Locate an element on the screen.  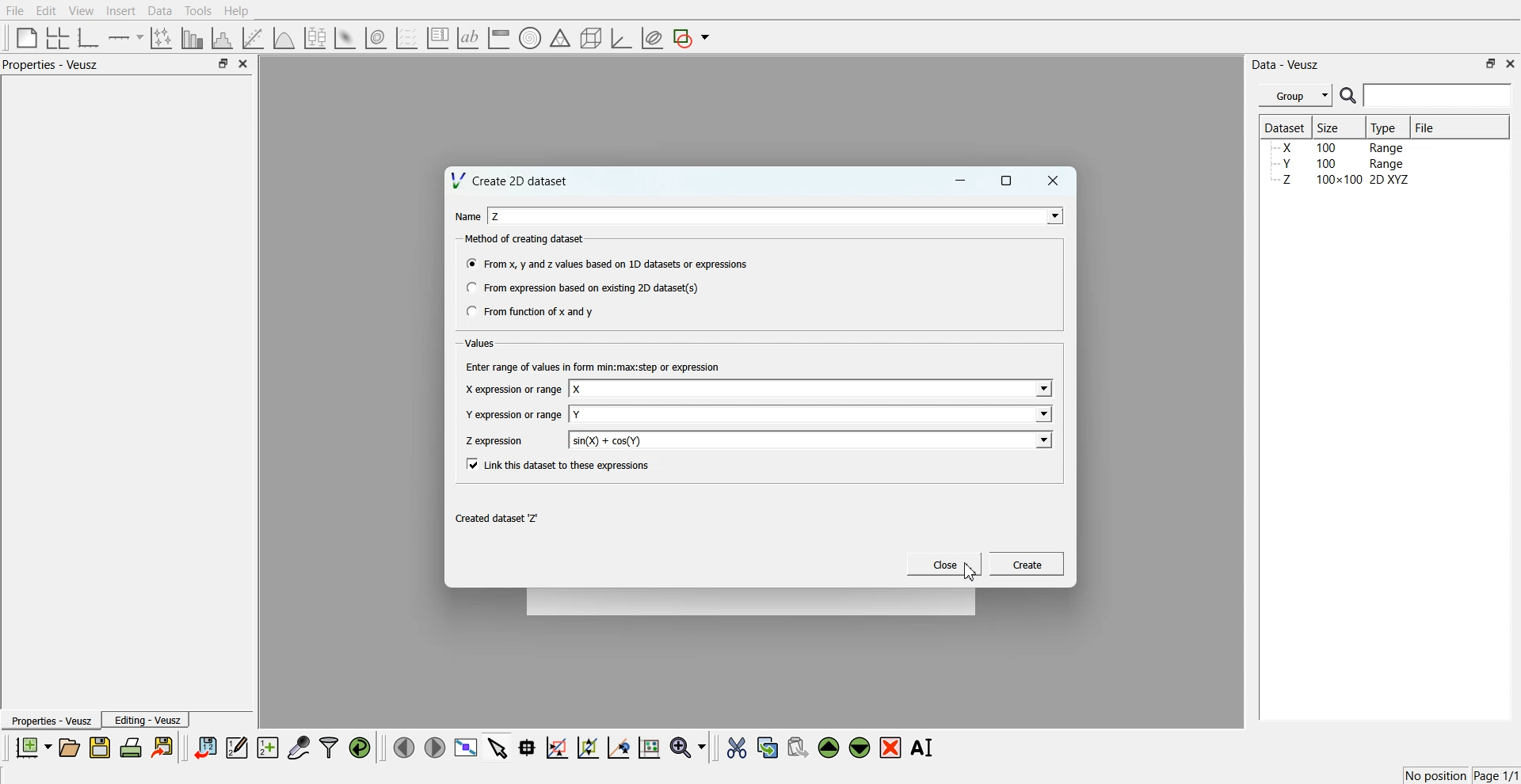
Close is located at coordinates (945, 564).